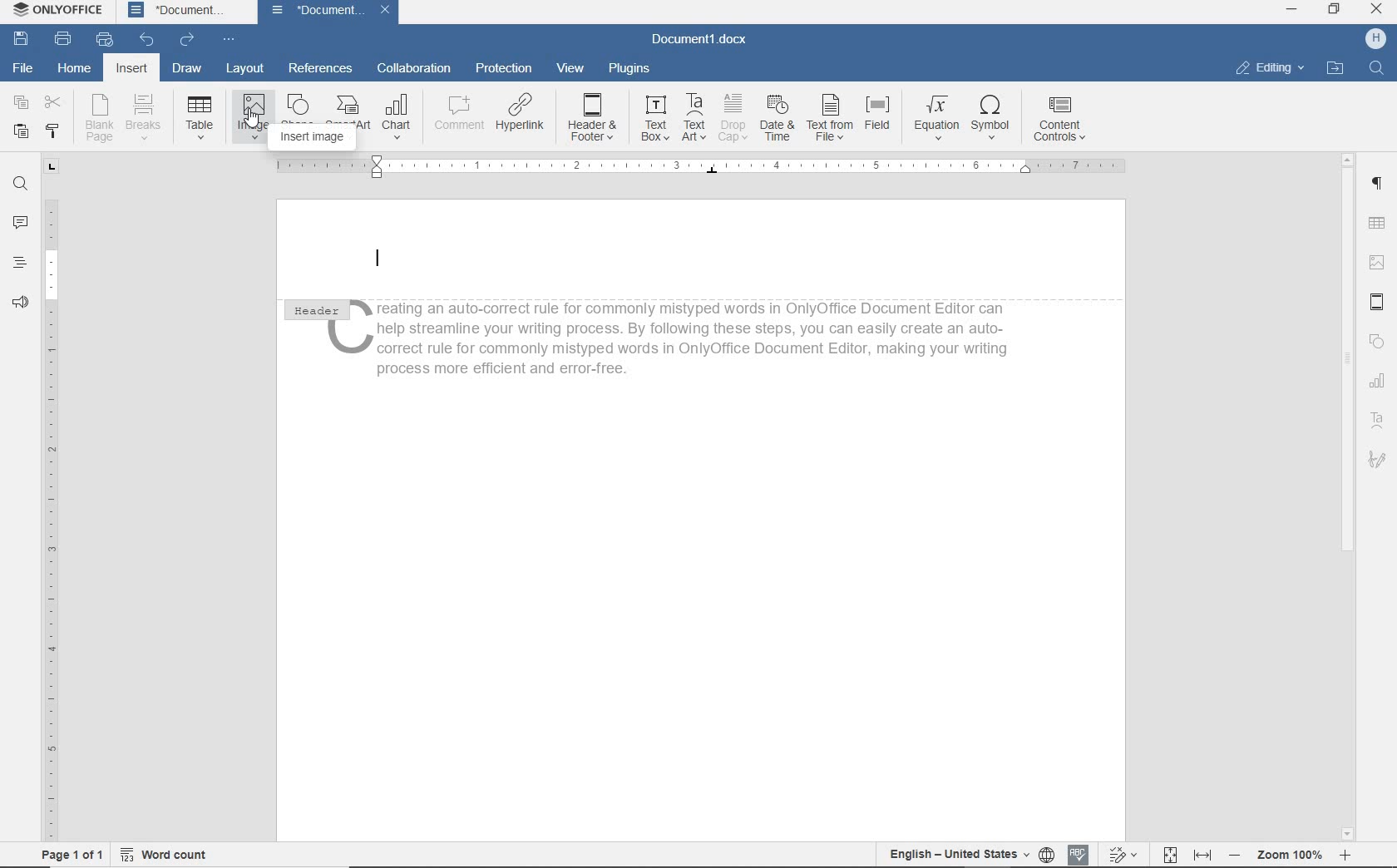 The image size is (1397, 868). I want to click on HOME, so click(72, 69).